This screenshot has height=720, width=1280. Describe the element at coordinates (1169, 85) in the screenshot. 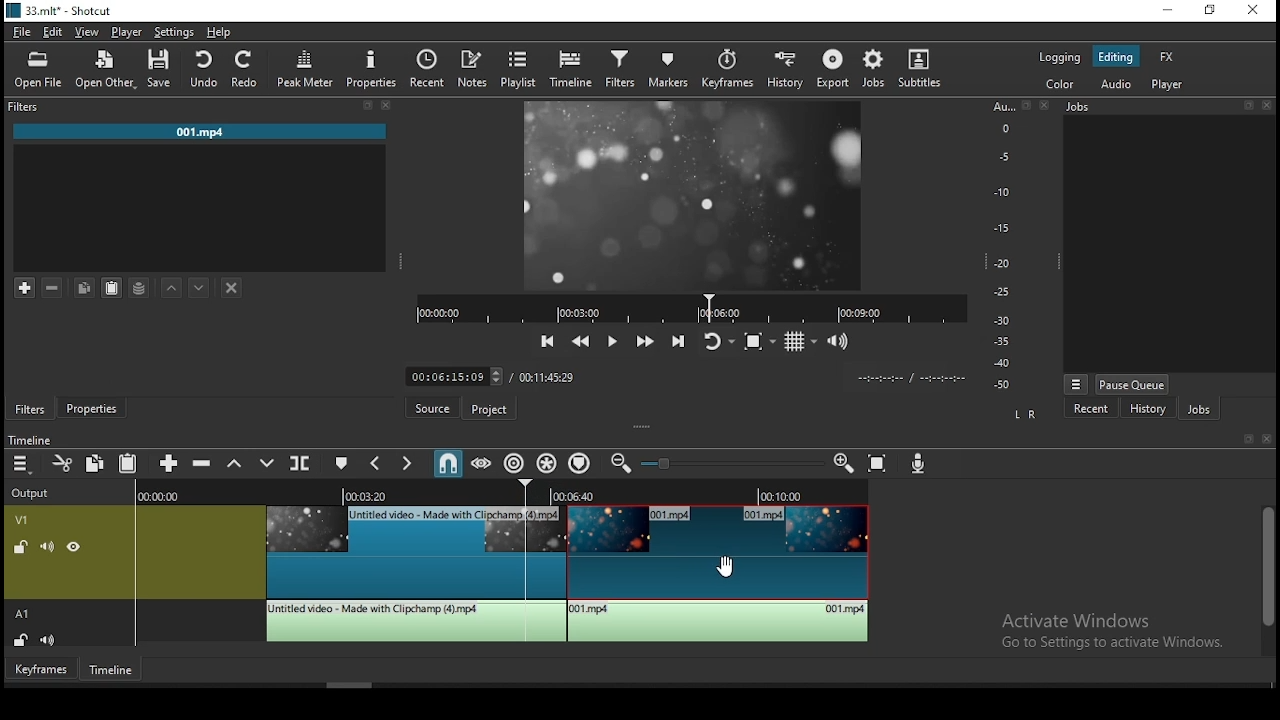

I see `player` at that location.